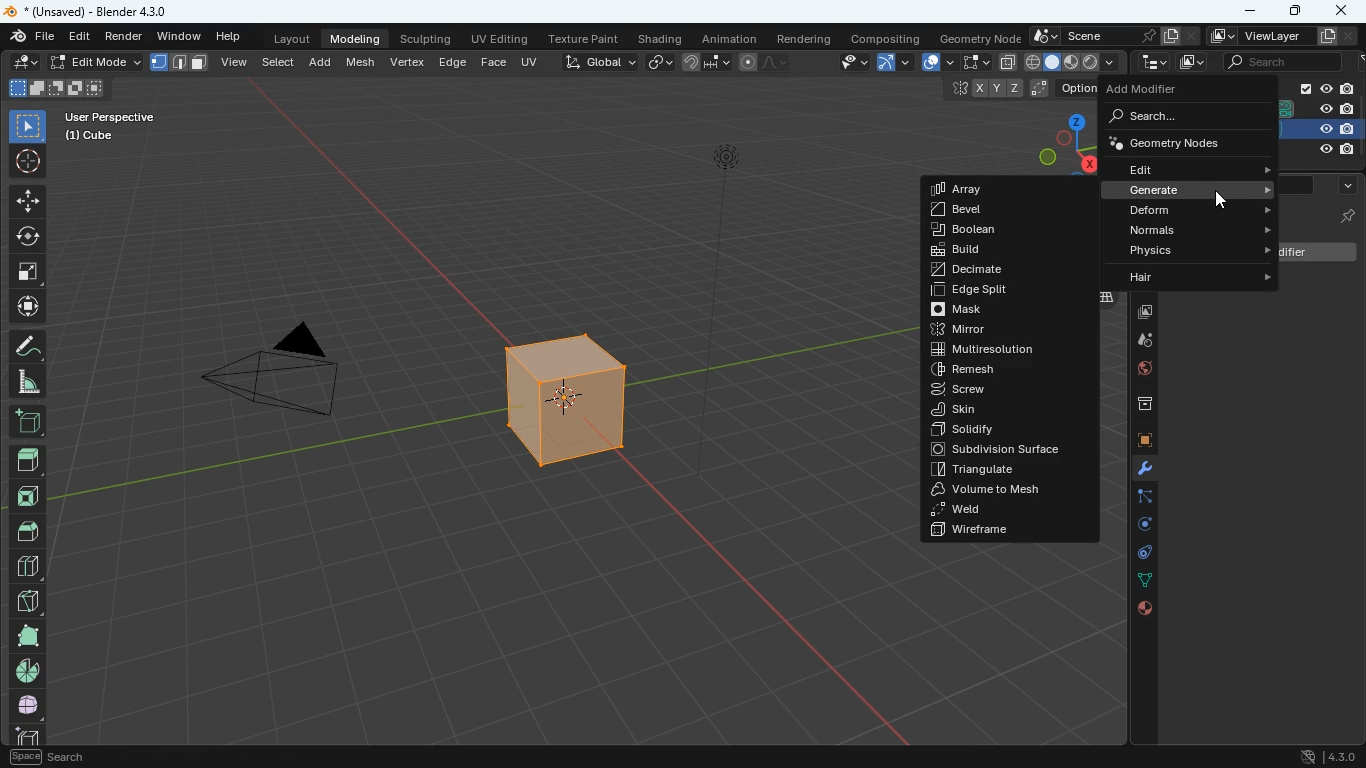 This screenshot has width=1366, height=768. Describe the element at coordinates (26, 602) in the screenshot. I see `diagonal` at that location.